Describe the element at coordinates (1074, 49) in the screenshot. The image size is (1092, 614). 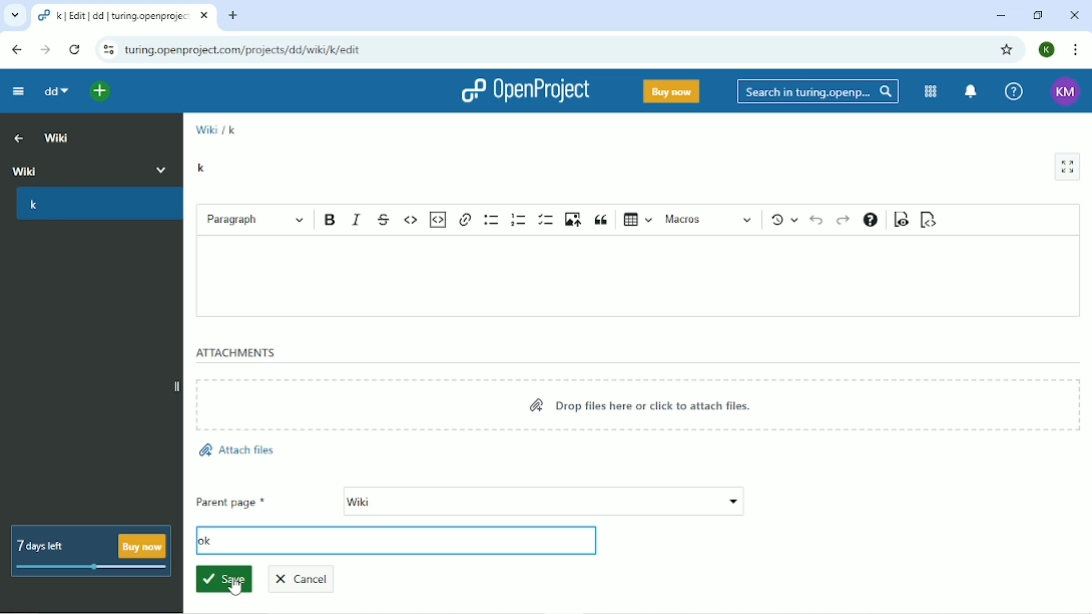
I see `Customize and control google chrome` at that location.